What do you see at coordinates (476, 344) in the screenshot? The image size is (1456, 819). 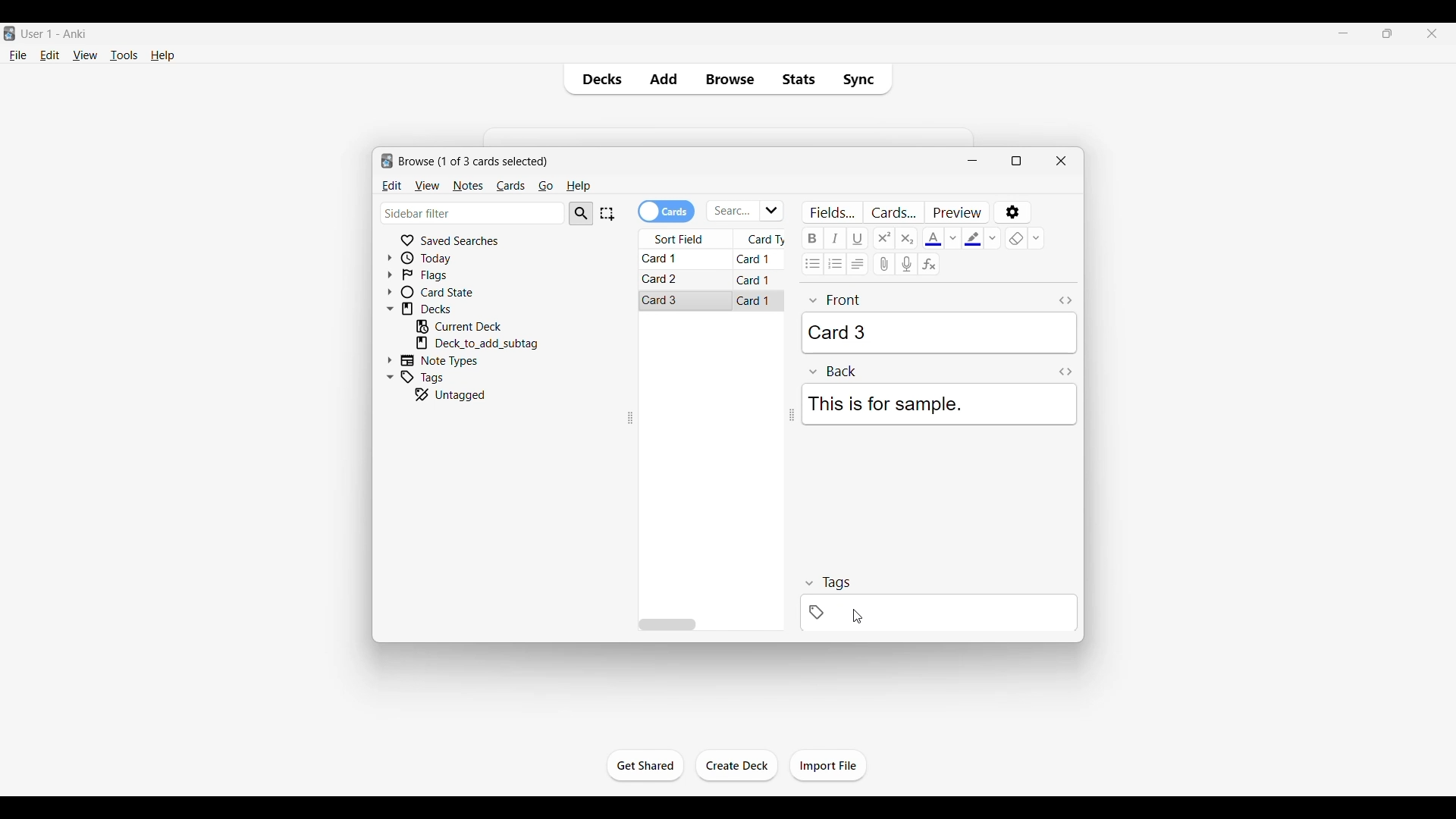 I see `Click to go to mentioned deck` at bounding box center [476, 344].